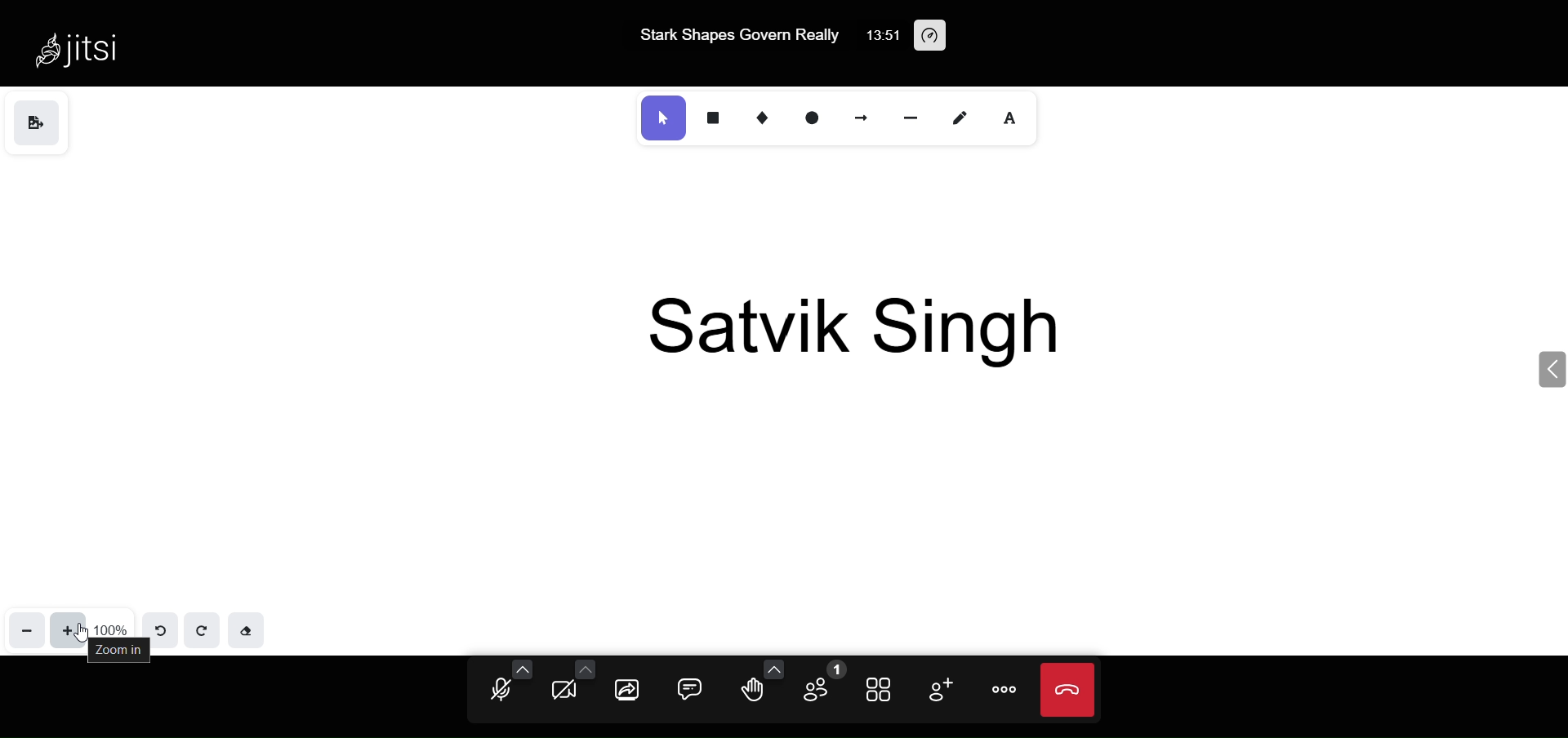 The width and height of the screenshot is (1568, 738). I want to click on ellipse, so click(812, 118).